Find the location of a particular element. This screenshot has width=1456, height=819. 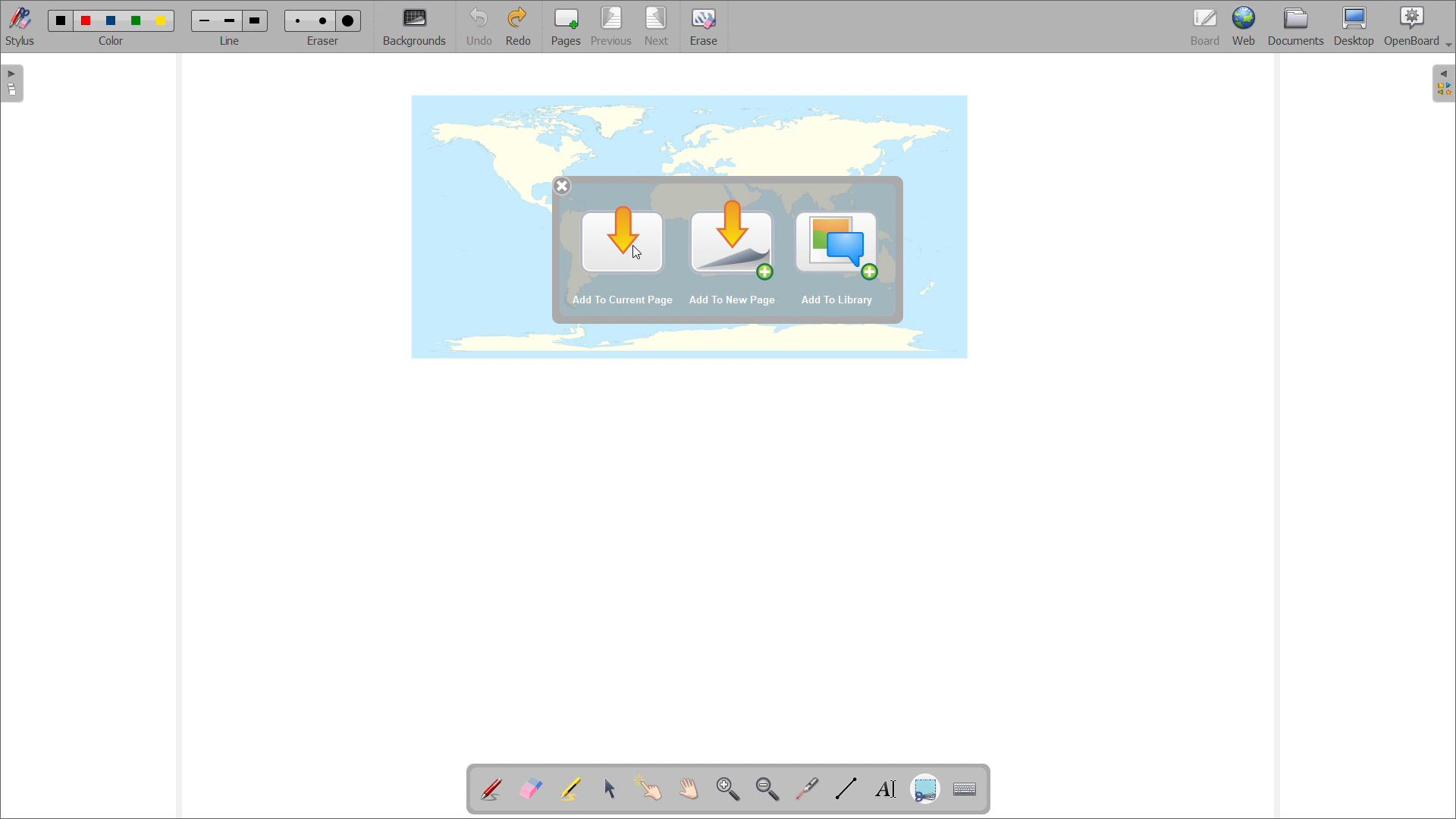

redo is located at coordinates (518, 26).